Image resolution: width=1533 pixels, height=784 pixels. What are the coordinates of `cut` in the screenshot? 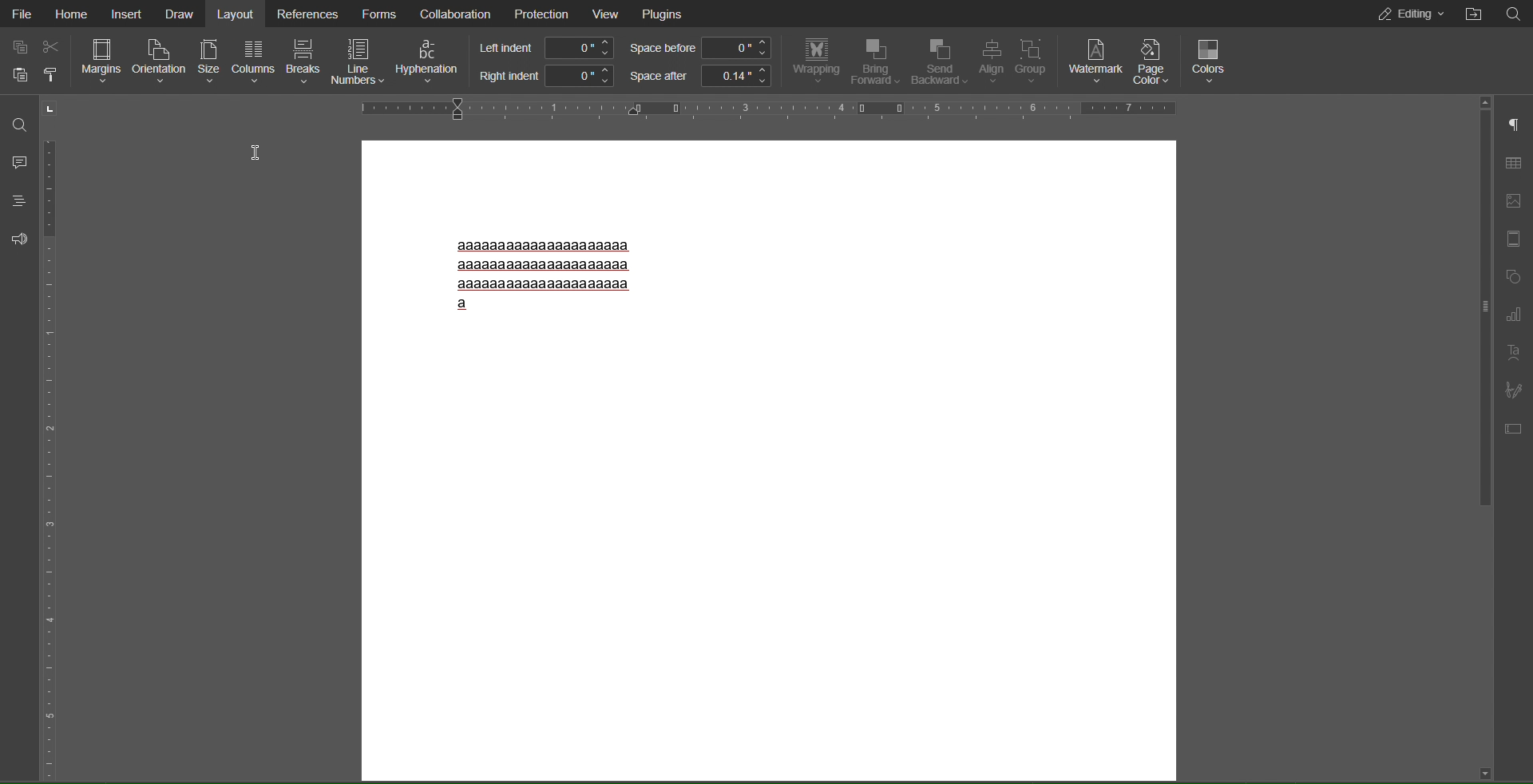 It's located at (52, 46).